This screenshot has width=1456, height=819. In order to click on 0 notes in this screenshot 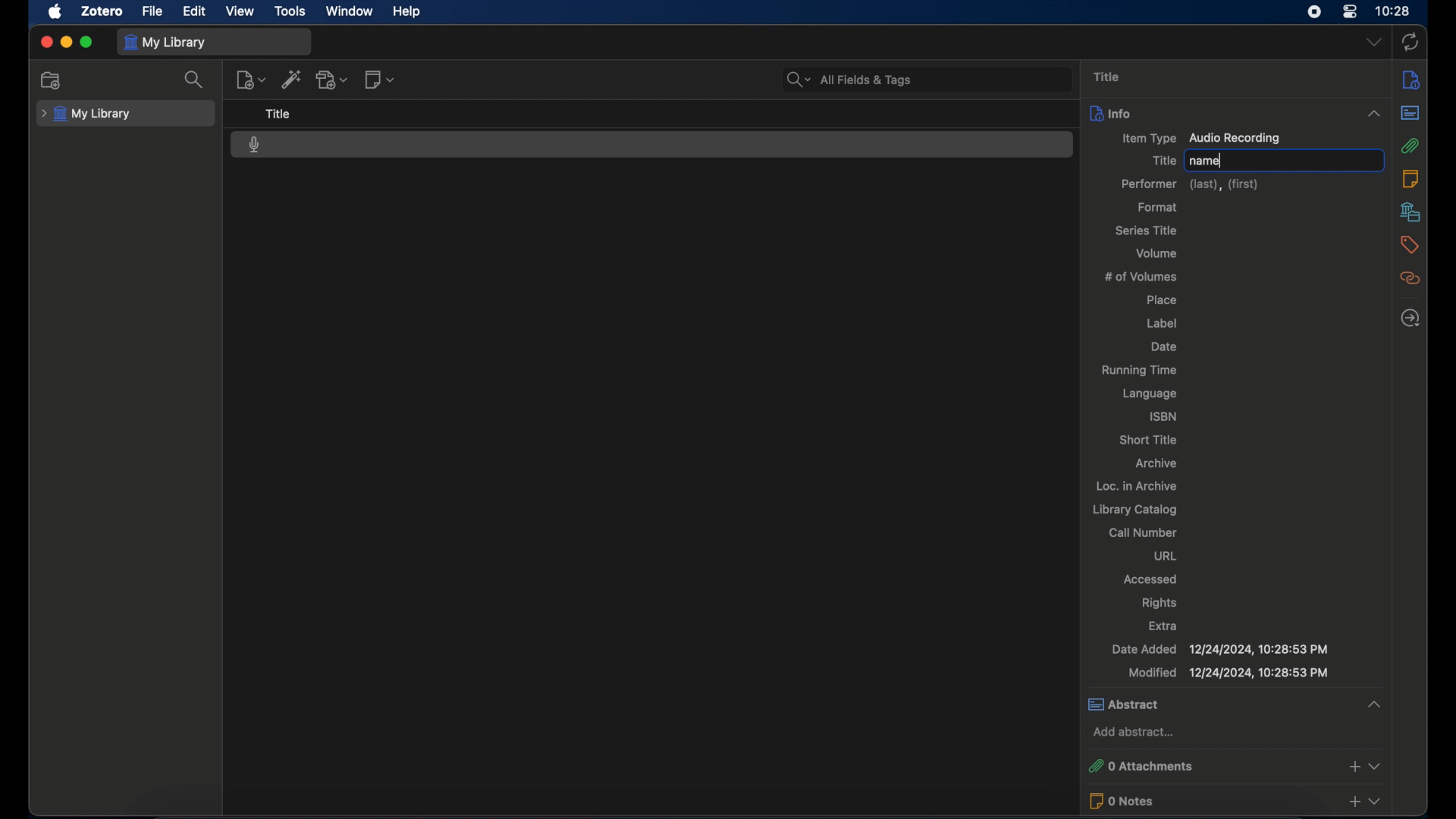, I will do `click(1238, 801)`.